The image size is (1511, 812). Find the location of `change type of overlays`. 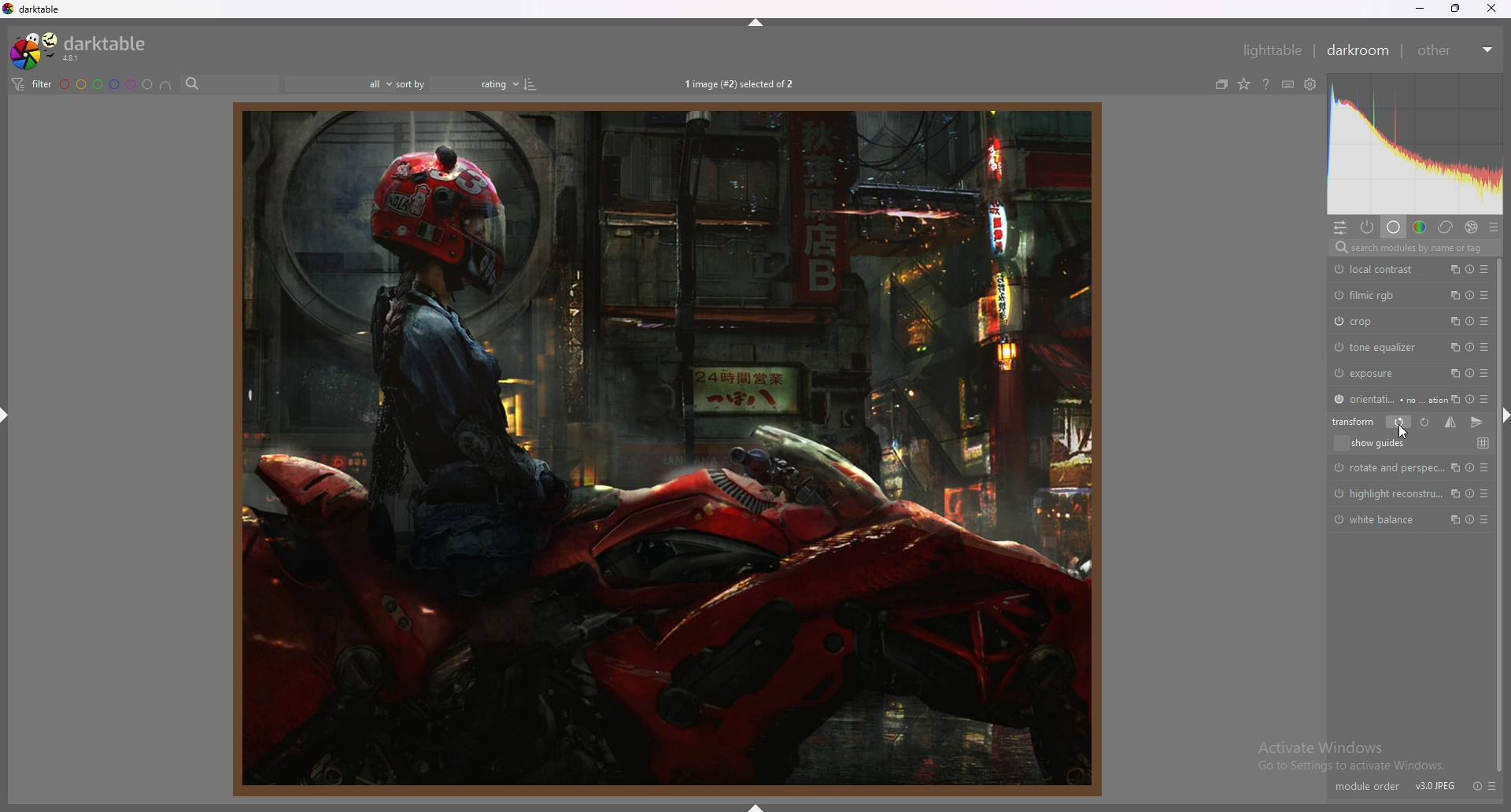

change type of overlays is located at coordinates (1245, 83).